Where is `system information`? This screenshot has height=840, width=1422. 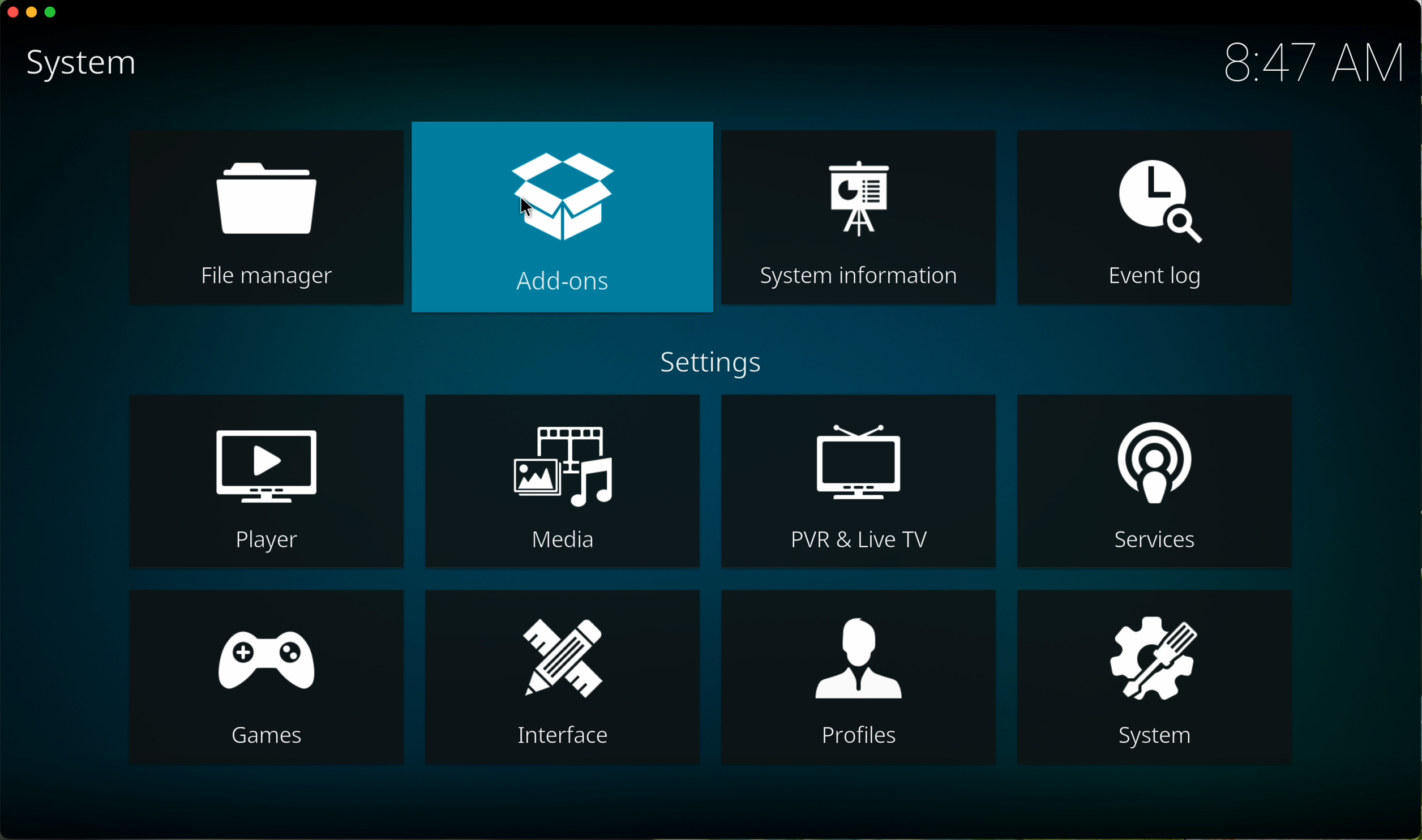 system information is located at coordinates (860, 218).